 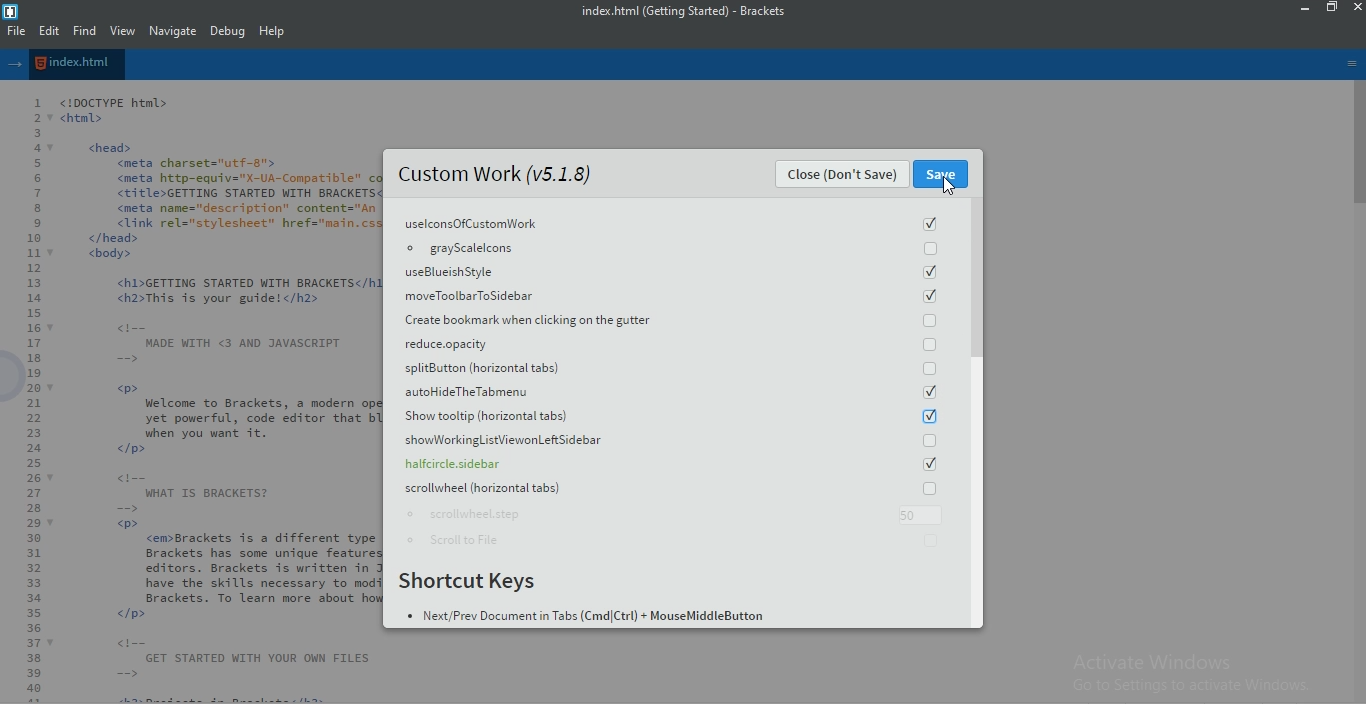 I want to click on logo, so click(x=12, y=10).